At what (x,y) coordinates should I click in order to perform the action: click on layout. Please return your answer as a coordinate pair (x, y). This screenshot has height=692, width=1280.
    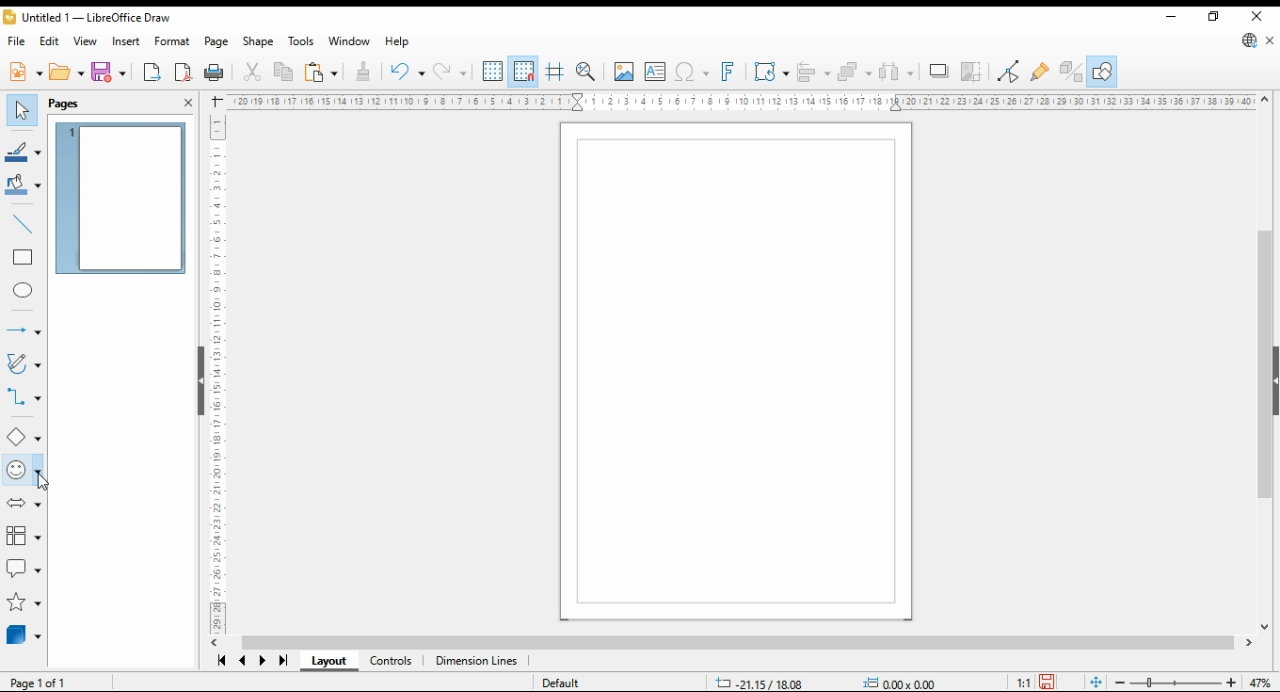
    Looking at the image, I should click on (326, 662).